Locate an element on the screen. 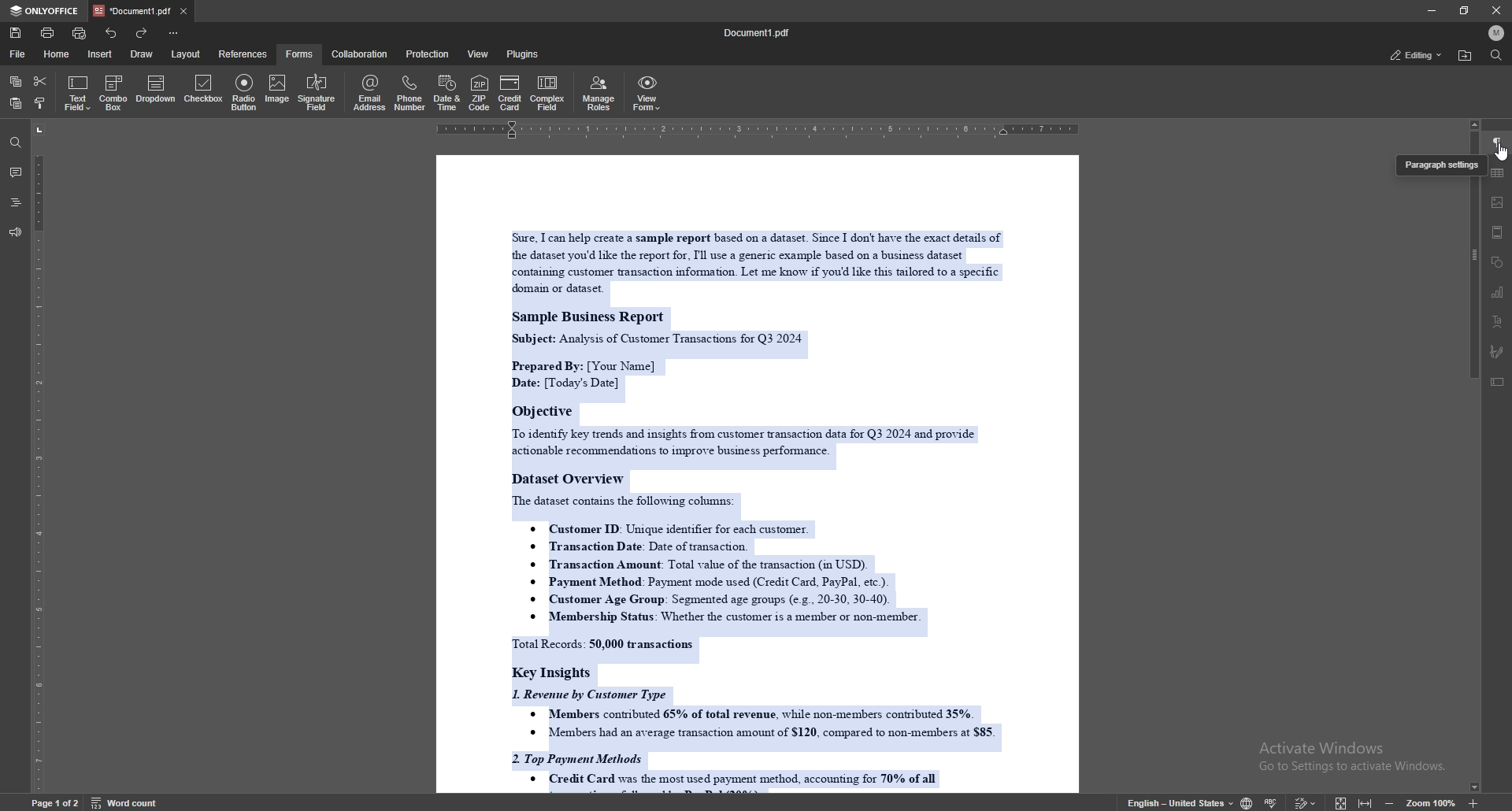 Image resolution: width=1512 pixels, height=811 pixels. horizontal scale is located at coordinates (758, 130).